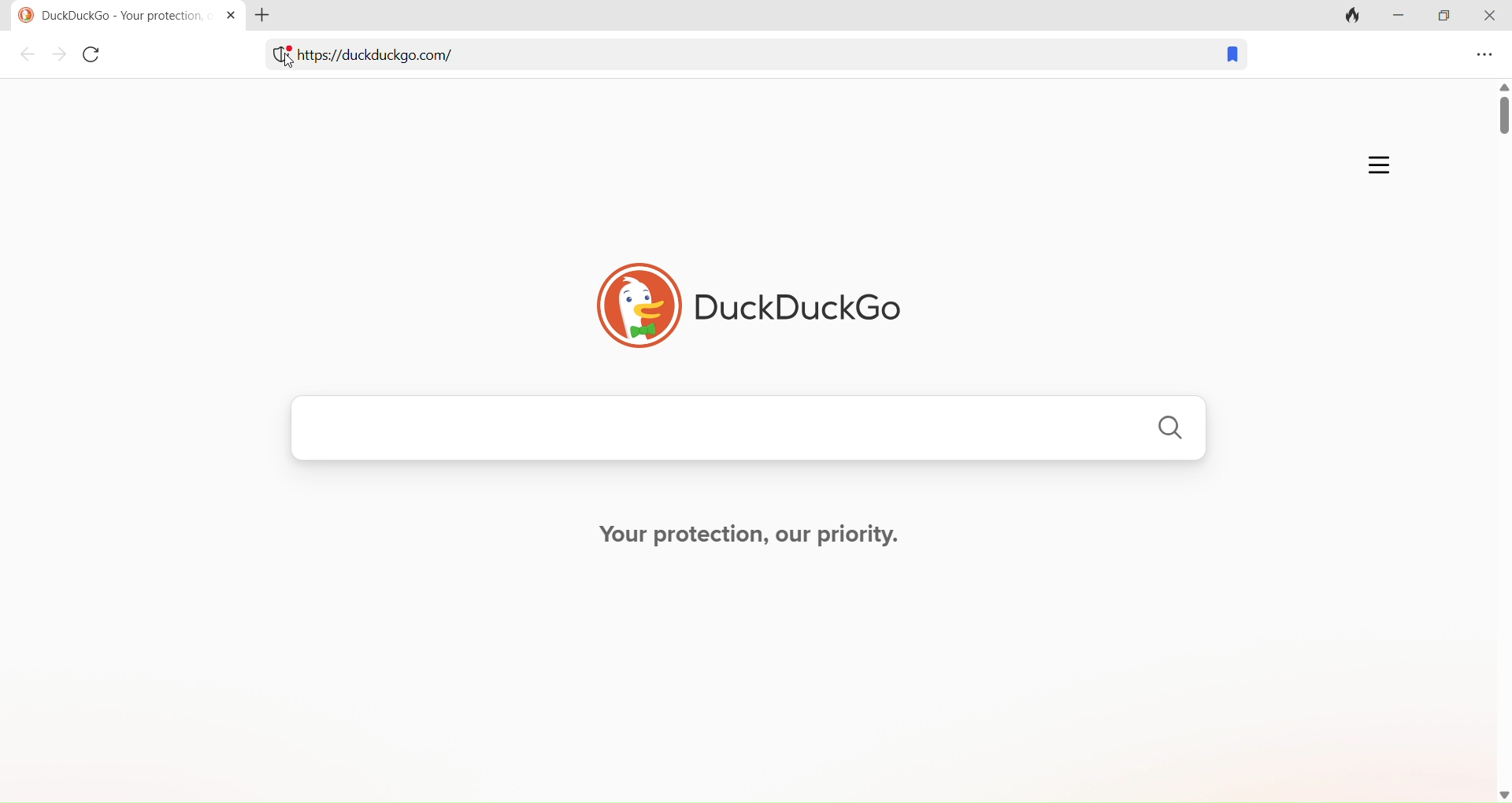 The image size is (1512, 803). What do you see at coordinates (276, 58) in the screenshot?
I see `web protection` at bounding box center [276, 58].